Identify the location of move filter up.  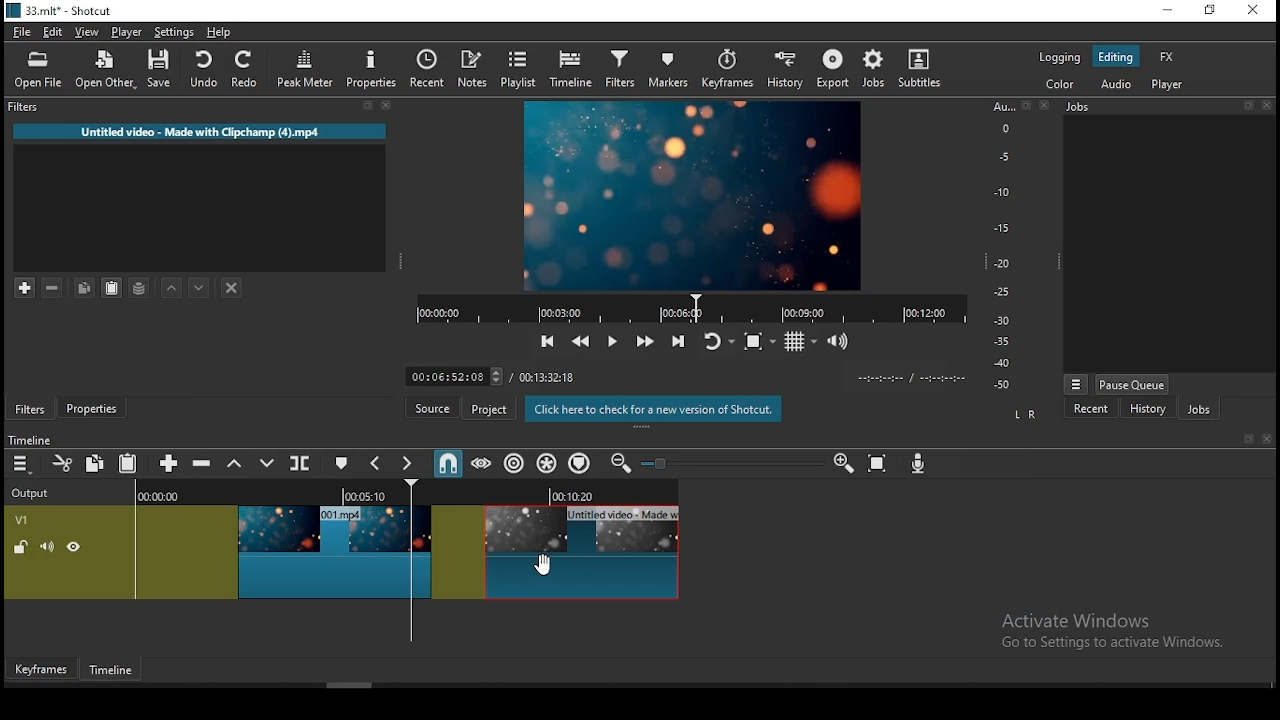
(174, 287).